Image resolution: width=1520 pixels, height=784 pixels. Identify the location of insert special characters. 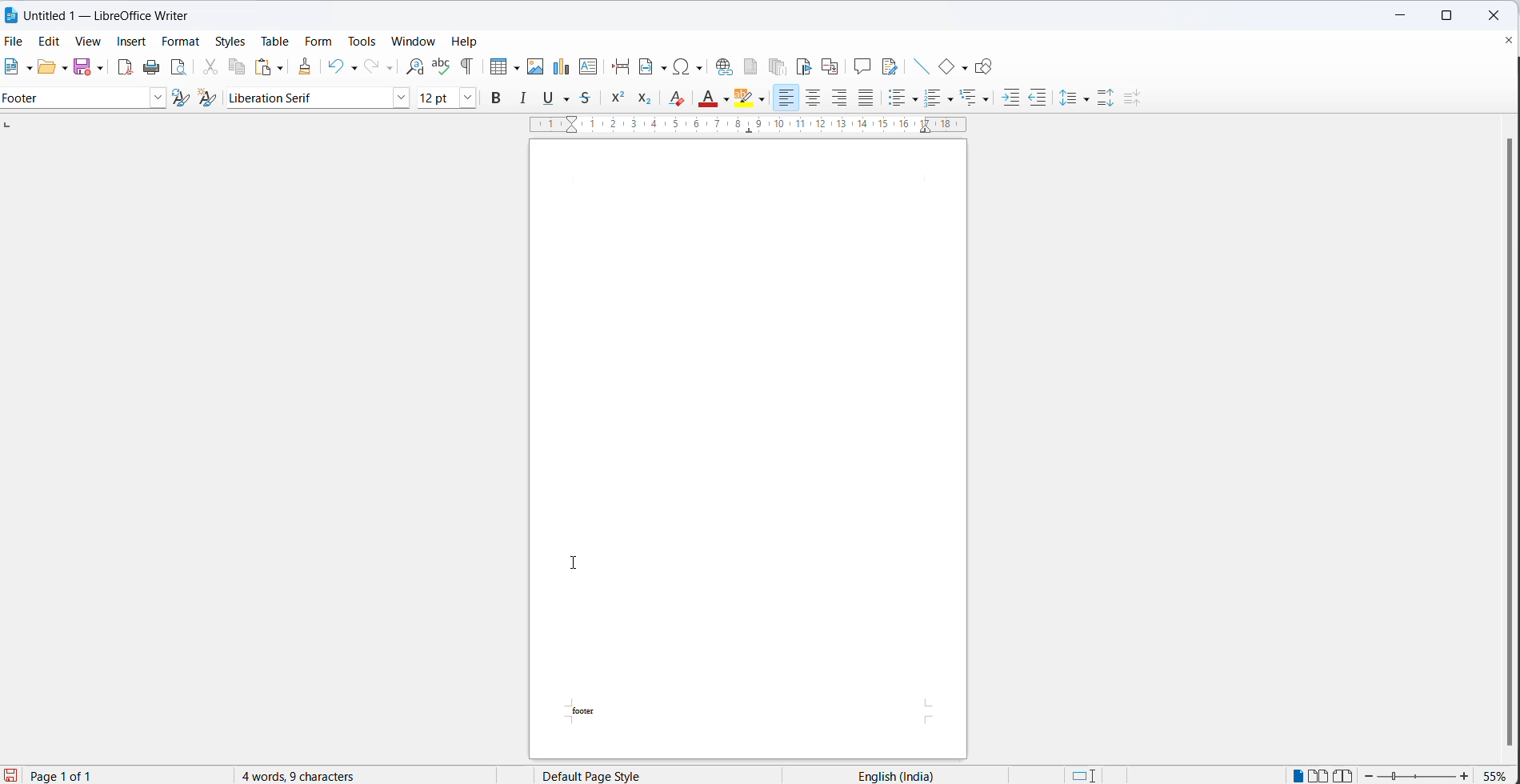
(690, 66).